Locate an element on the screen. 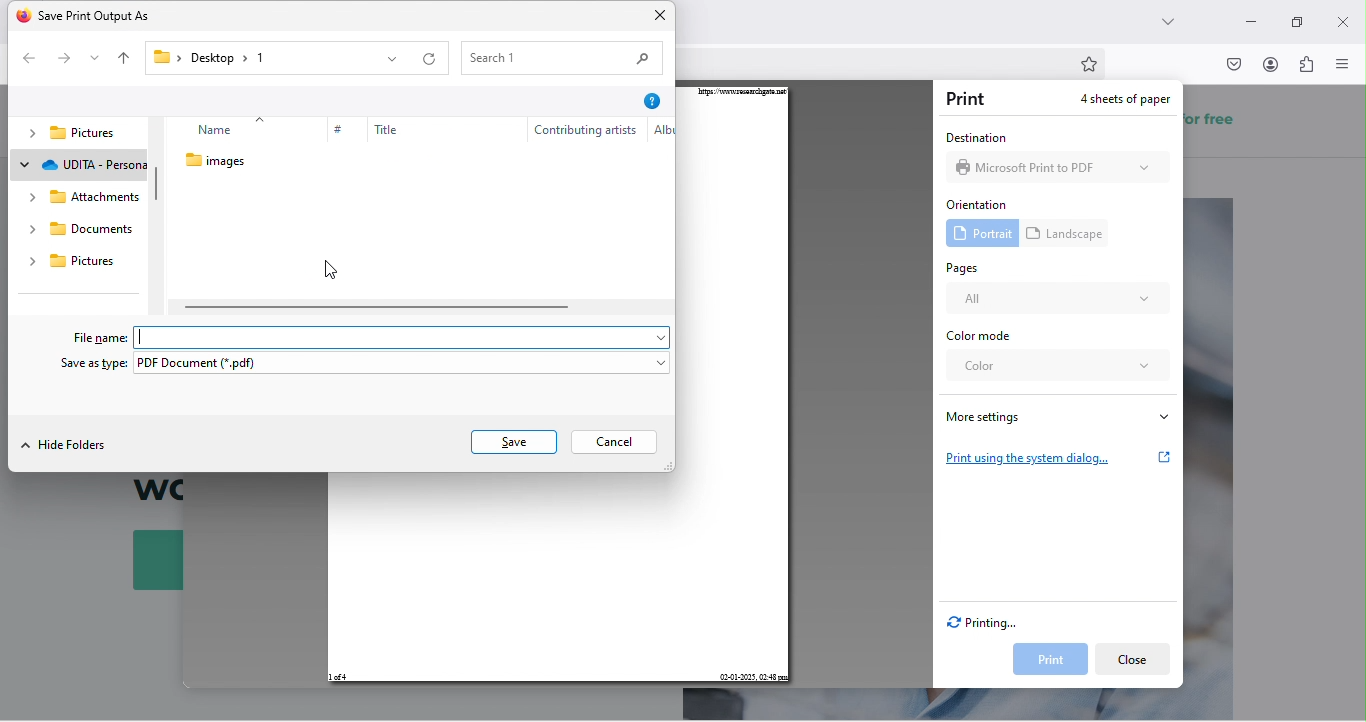 The width and height of the screenshot is (1366, 722). color mode is located at coordinates (986, 337).